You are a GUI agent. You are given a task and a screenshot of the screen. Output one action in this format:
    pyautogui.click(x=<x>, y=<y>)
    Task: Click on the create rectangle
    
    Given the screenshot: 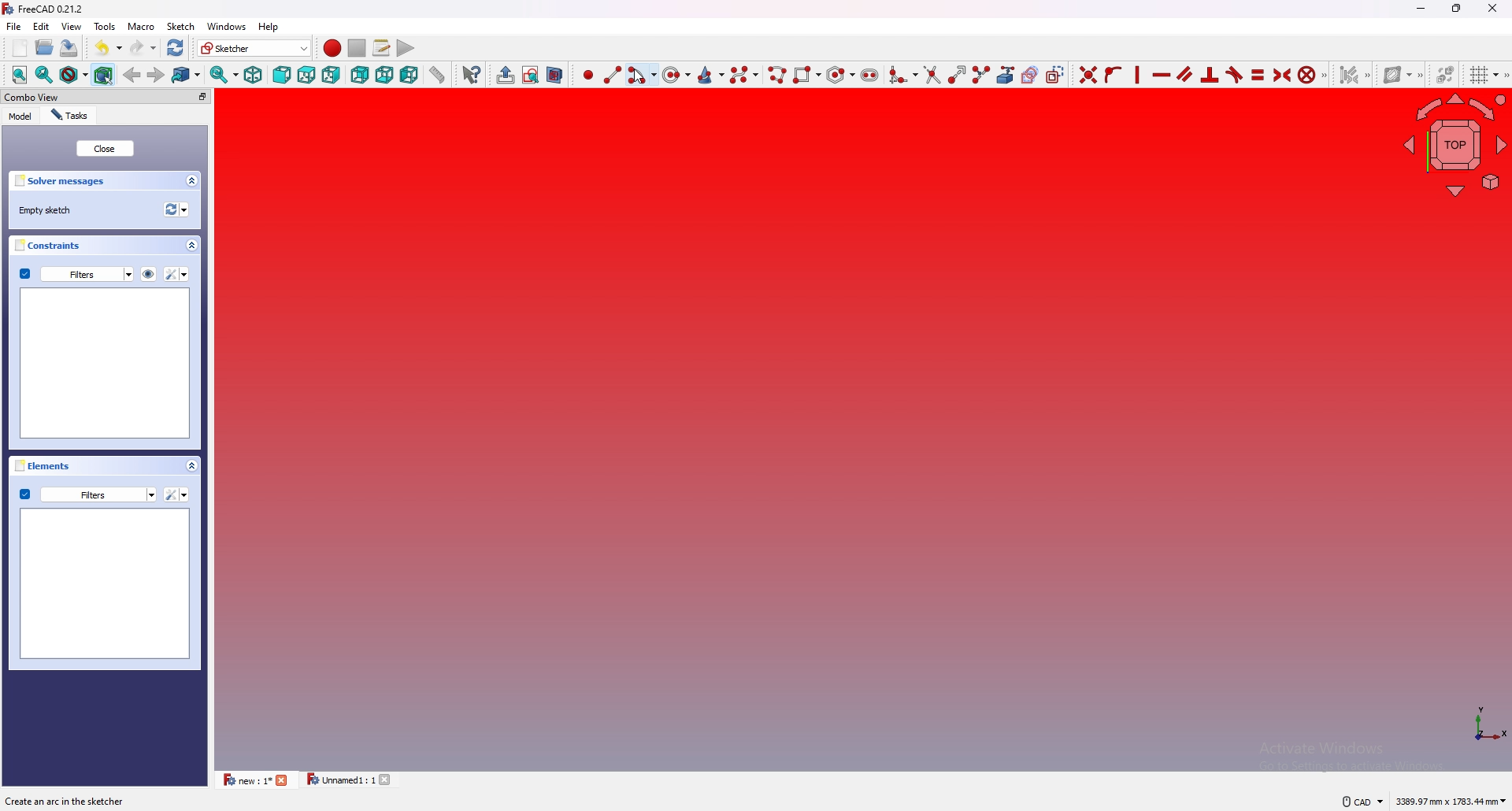 What is the action you would take?
    pyautogui.click(x=806, y=75)
    